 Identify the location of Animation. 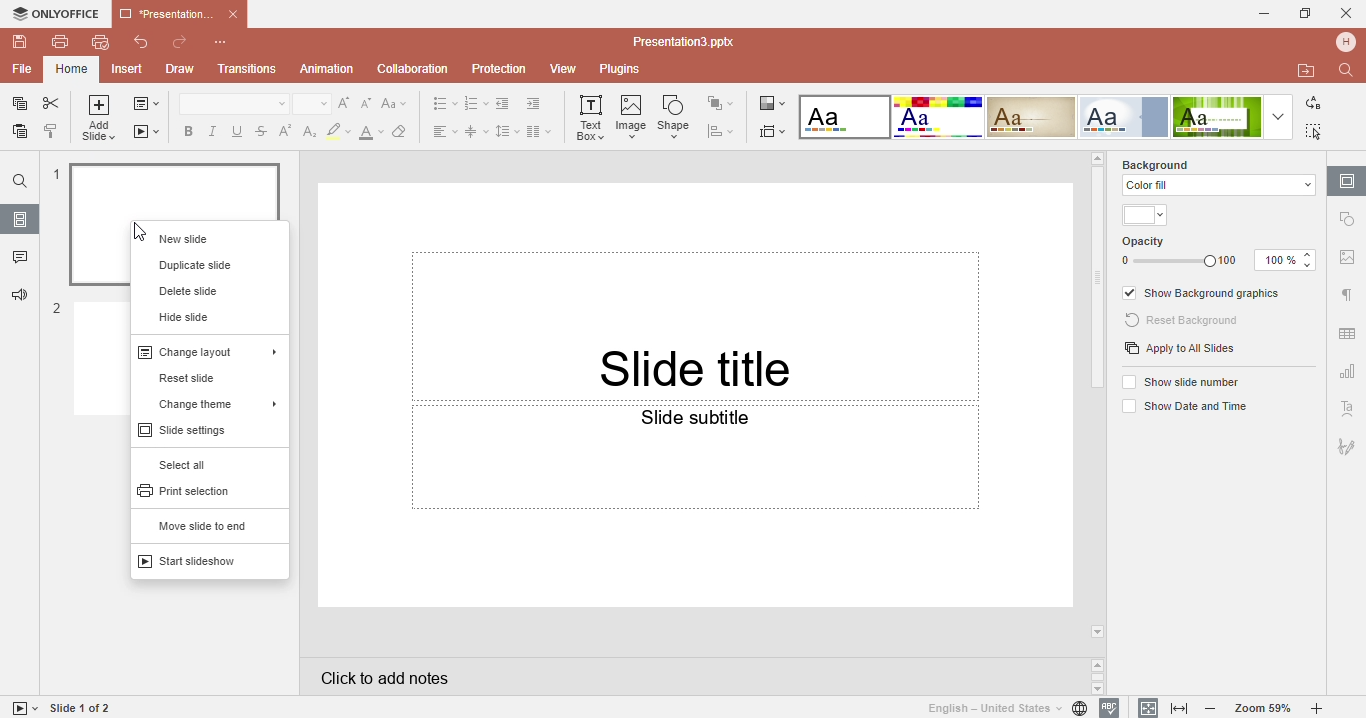
(326, 68).